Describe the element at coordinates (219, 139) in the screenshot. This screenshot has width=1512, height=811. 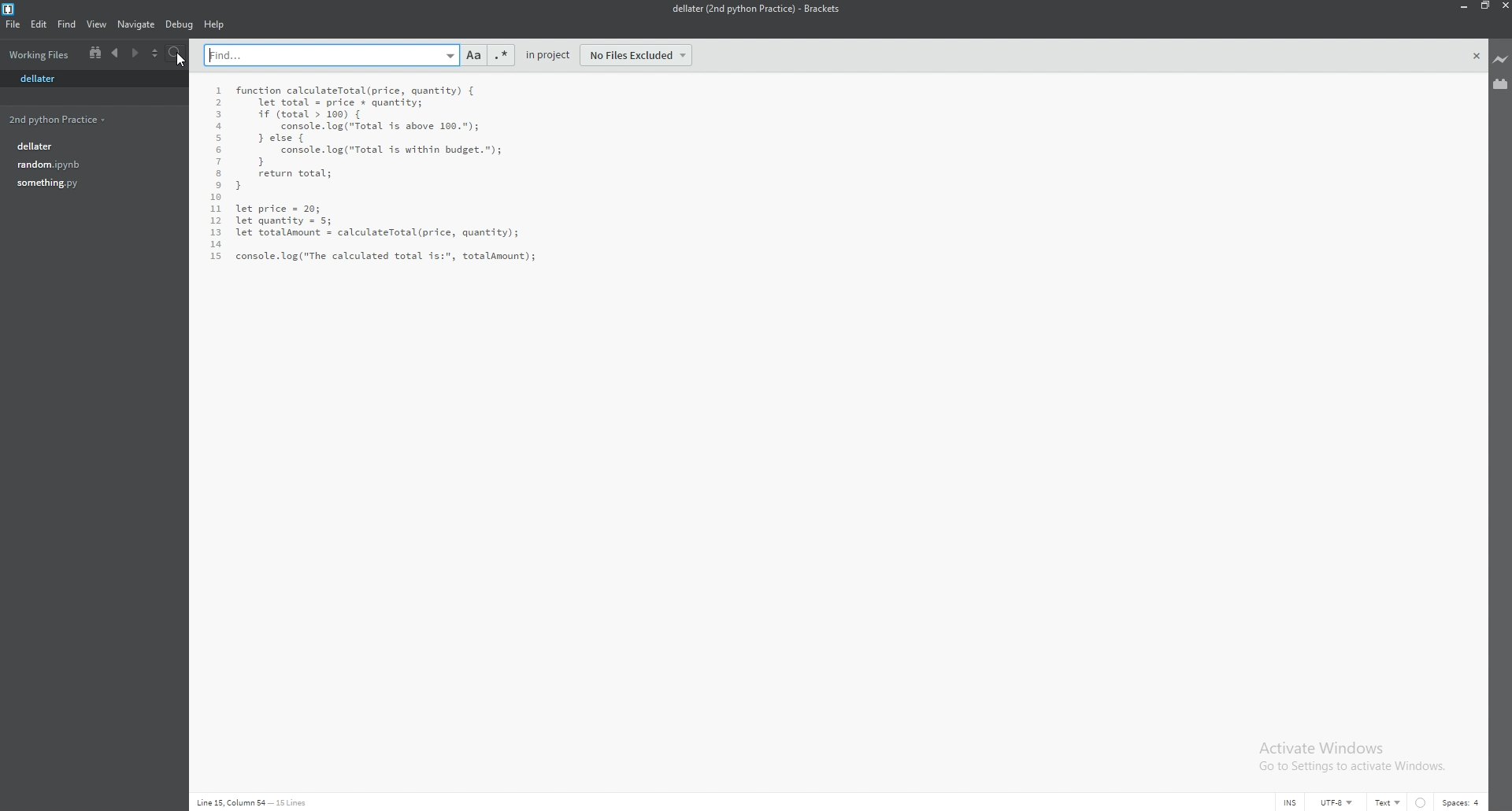
I see `5` at that location.